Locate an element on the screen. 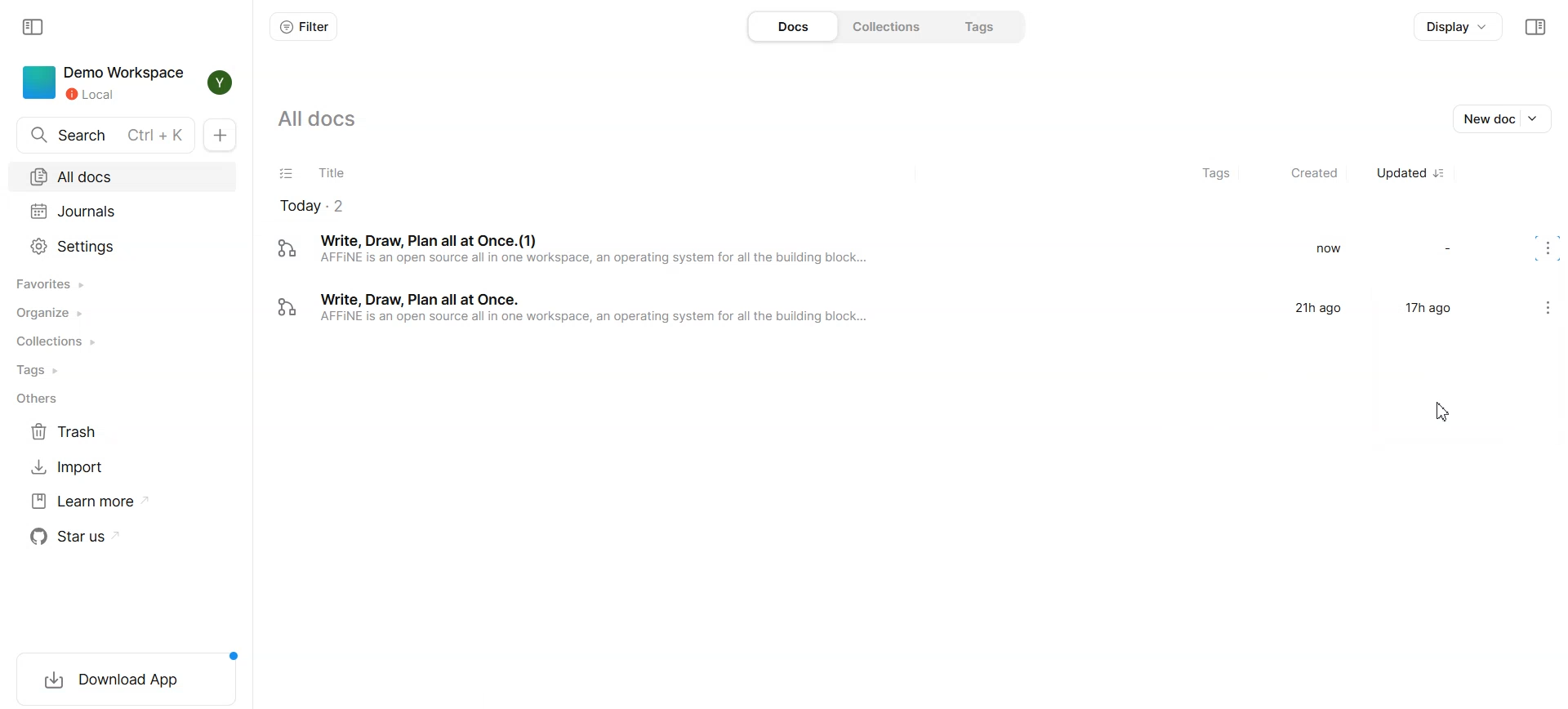 The width and height of the screenshot is (1568, 709). Created is located at coordinates (1307, 173).